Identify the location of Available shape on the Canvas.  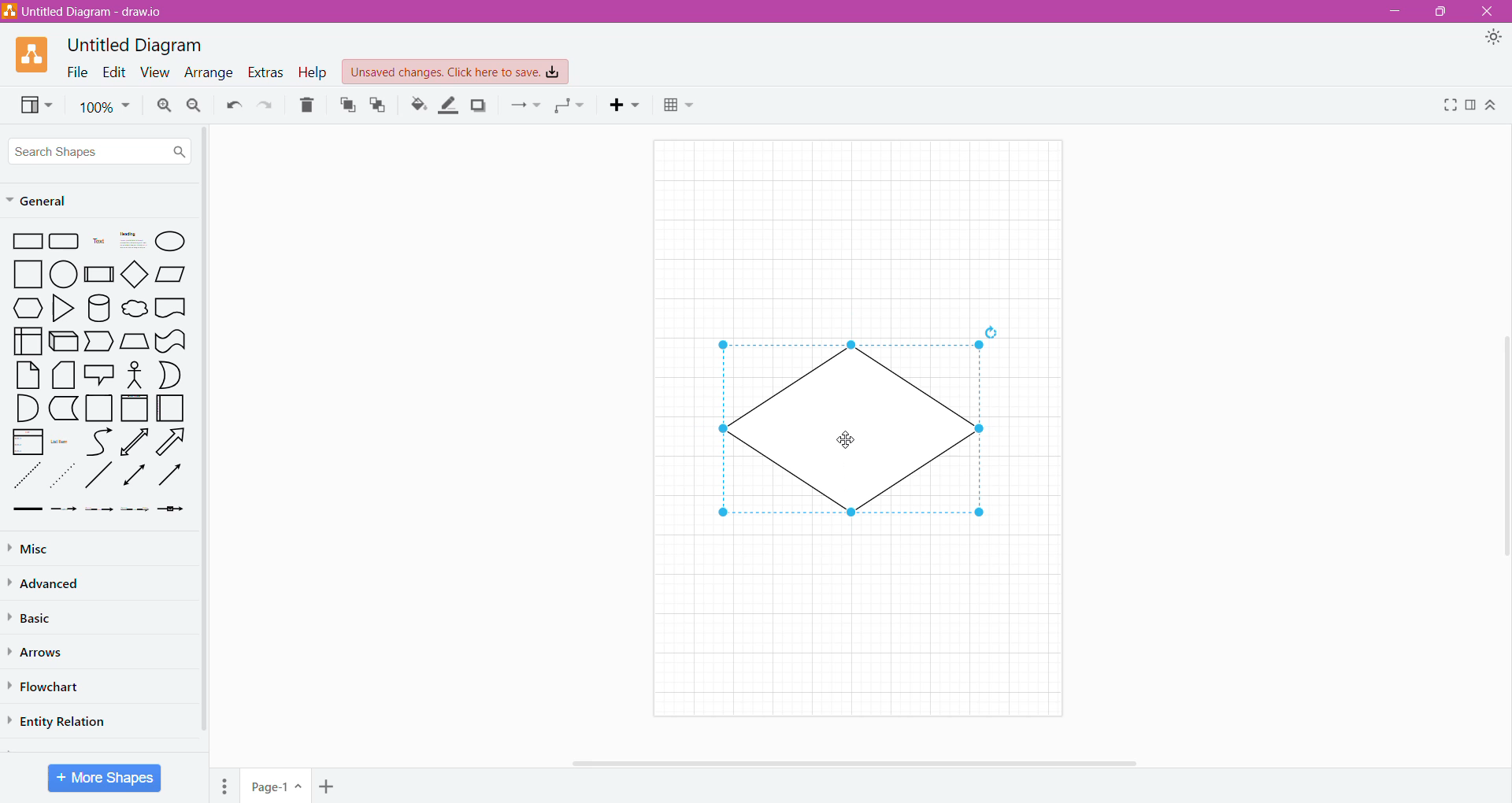
(850, 432).